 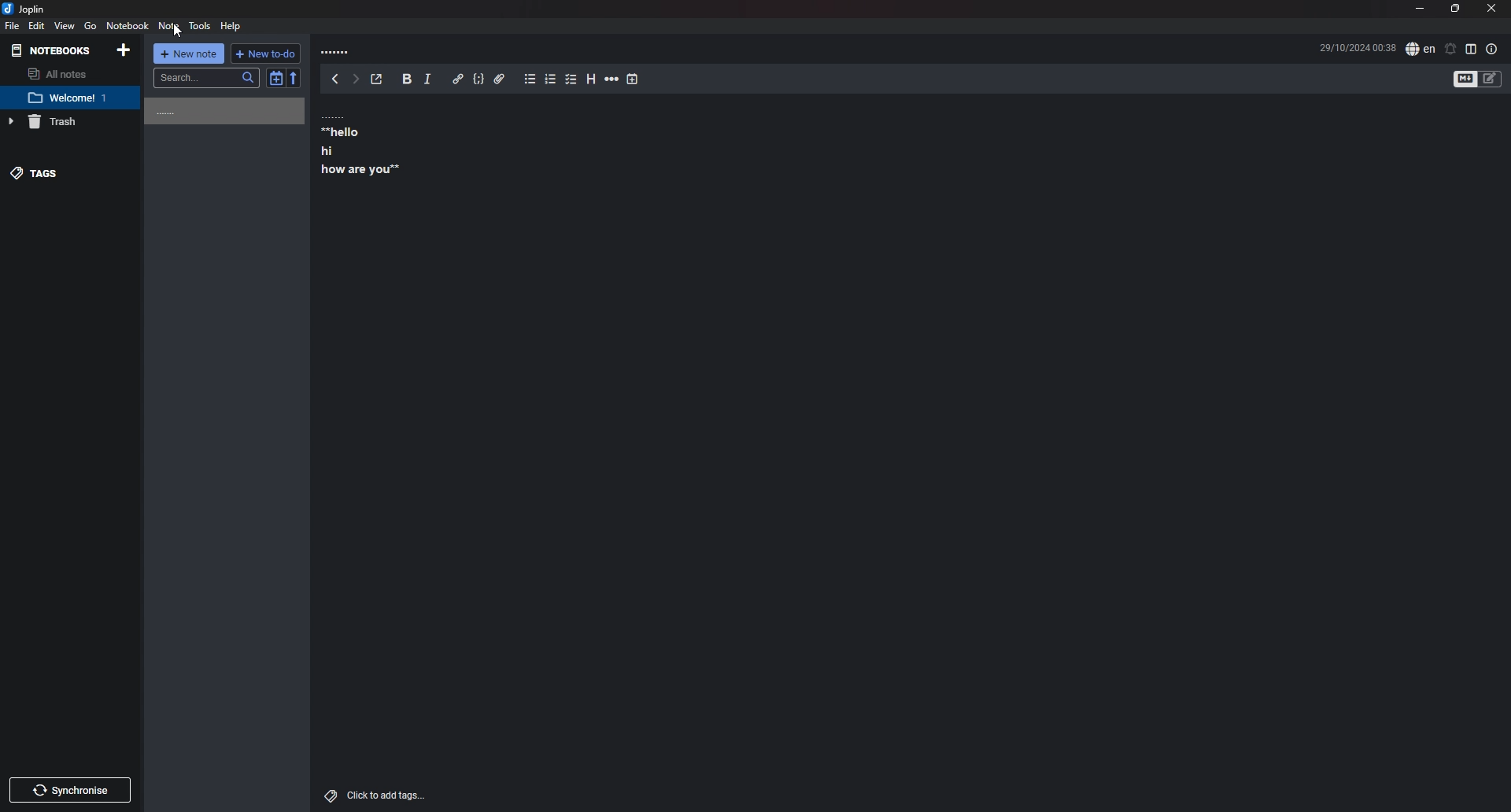 I want to click on Code, so click(x=478, y=79).